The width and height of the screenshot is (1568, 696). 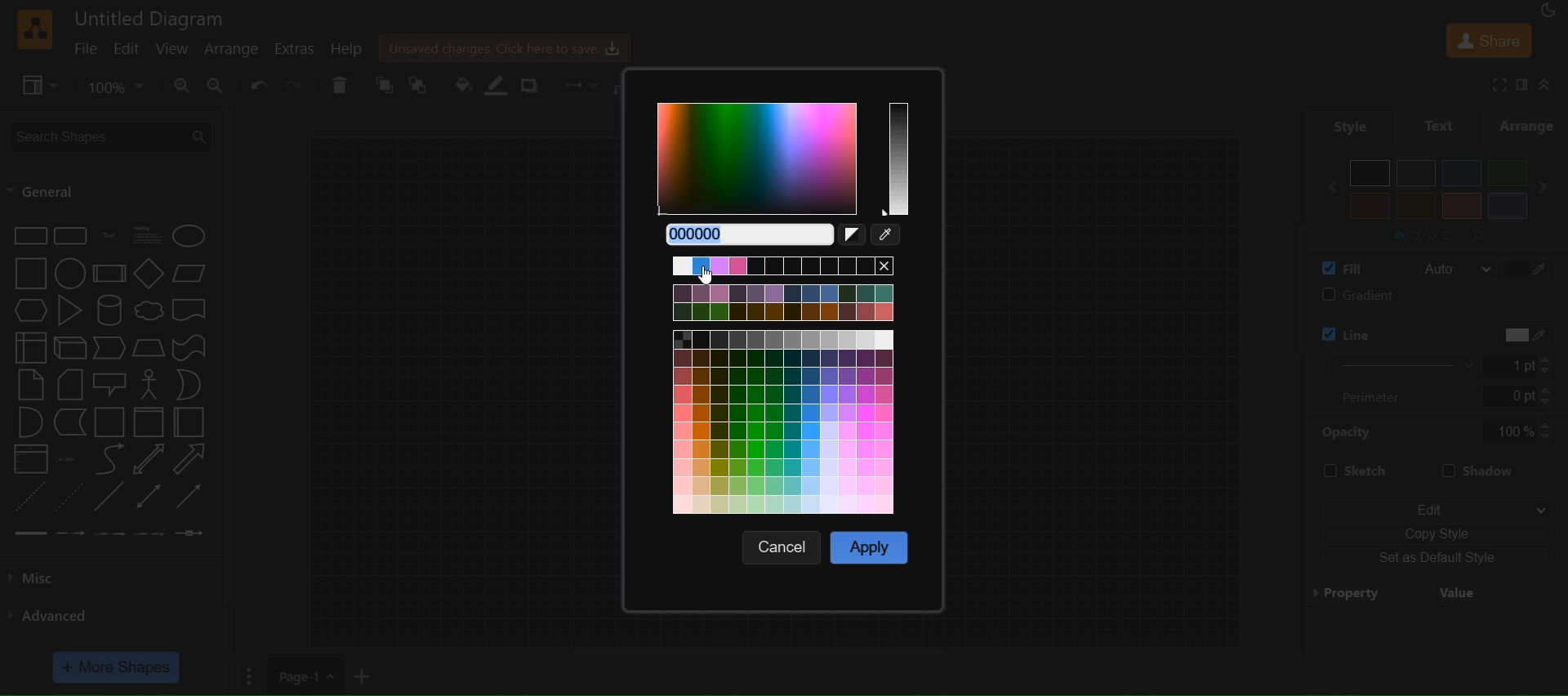 I want to click on directional connector, so click(x=193, y=497).